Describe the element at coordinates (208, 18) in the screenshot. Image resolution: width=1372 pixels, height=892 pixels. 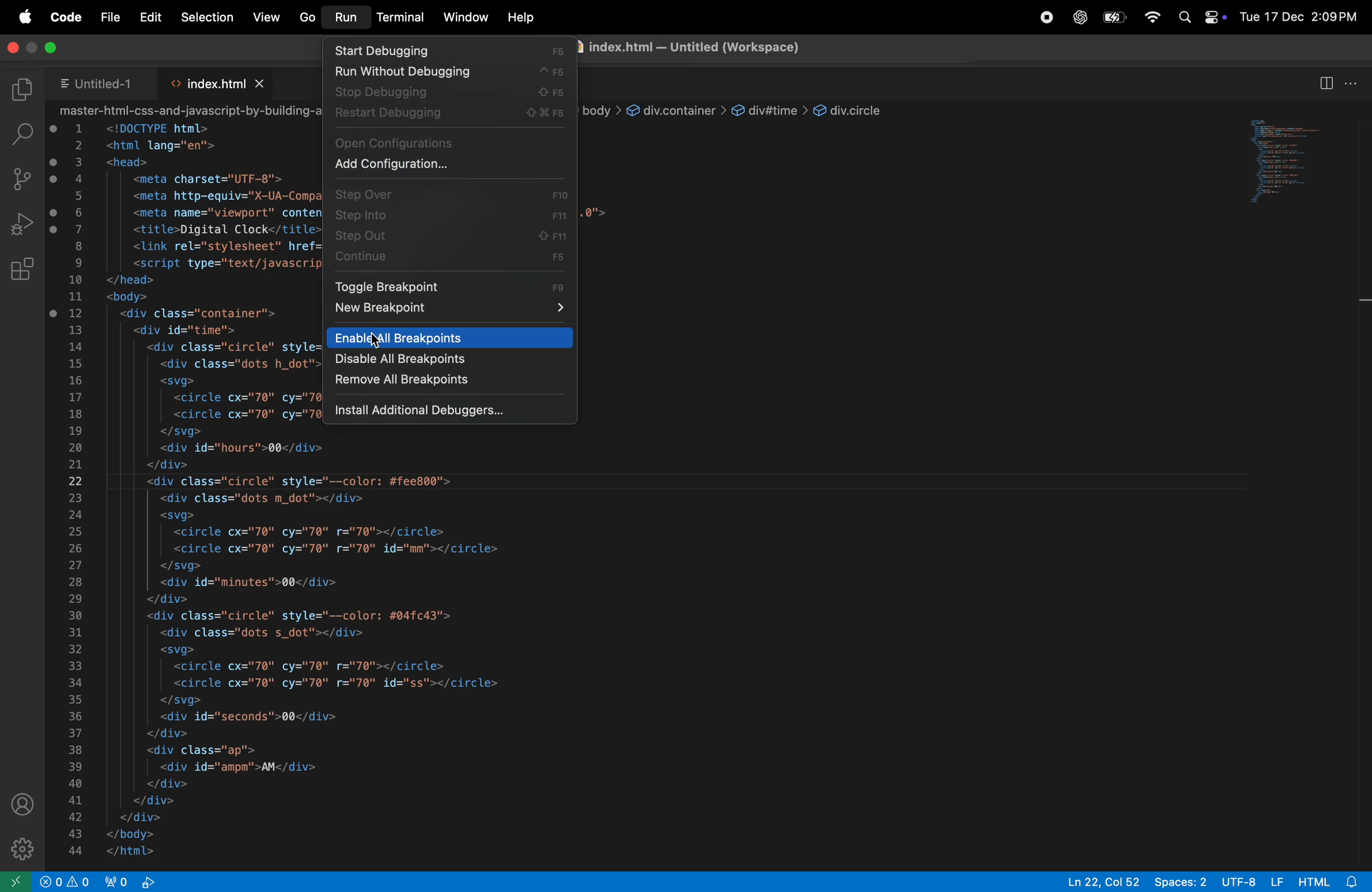
I see `selection` at that location.